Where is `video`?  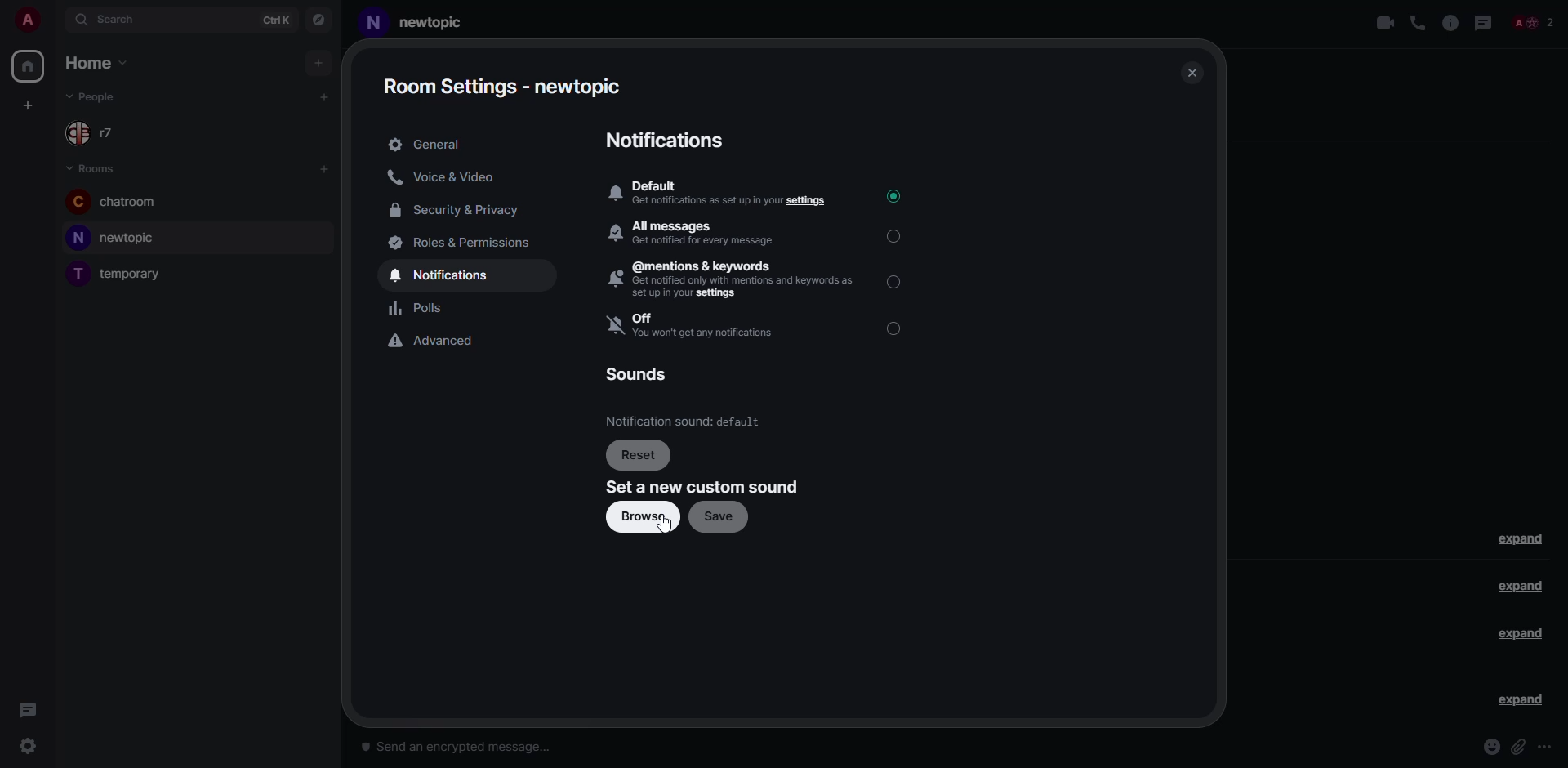 video is located at coordinates (1387, 23).